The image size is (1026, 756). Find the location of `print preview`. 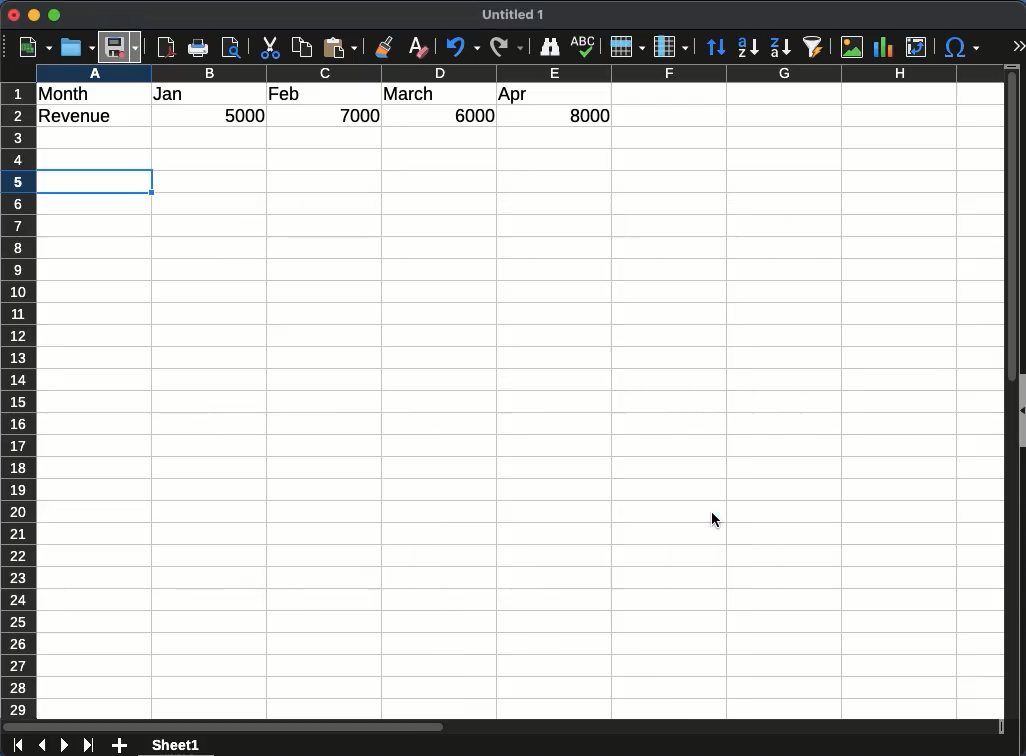

print preview is located at coordinates (233, 49).